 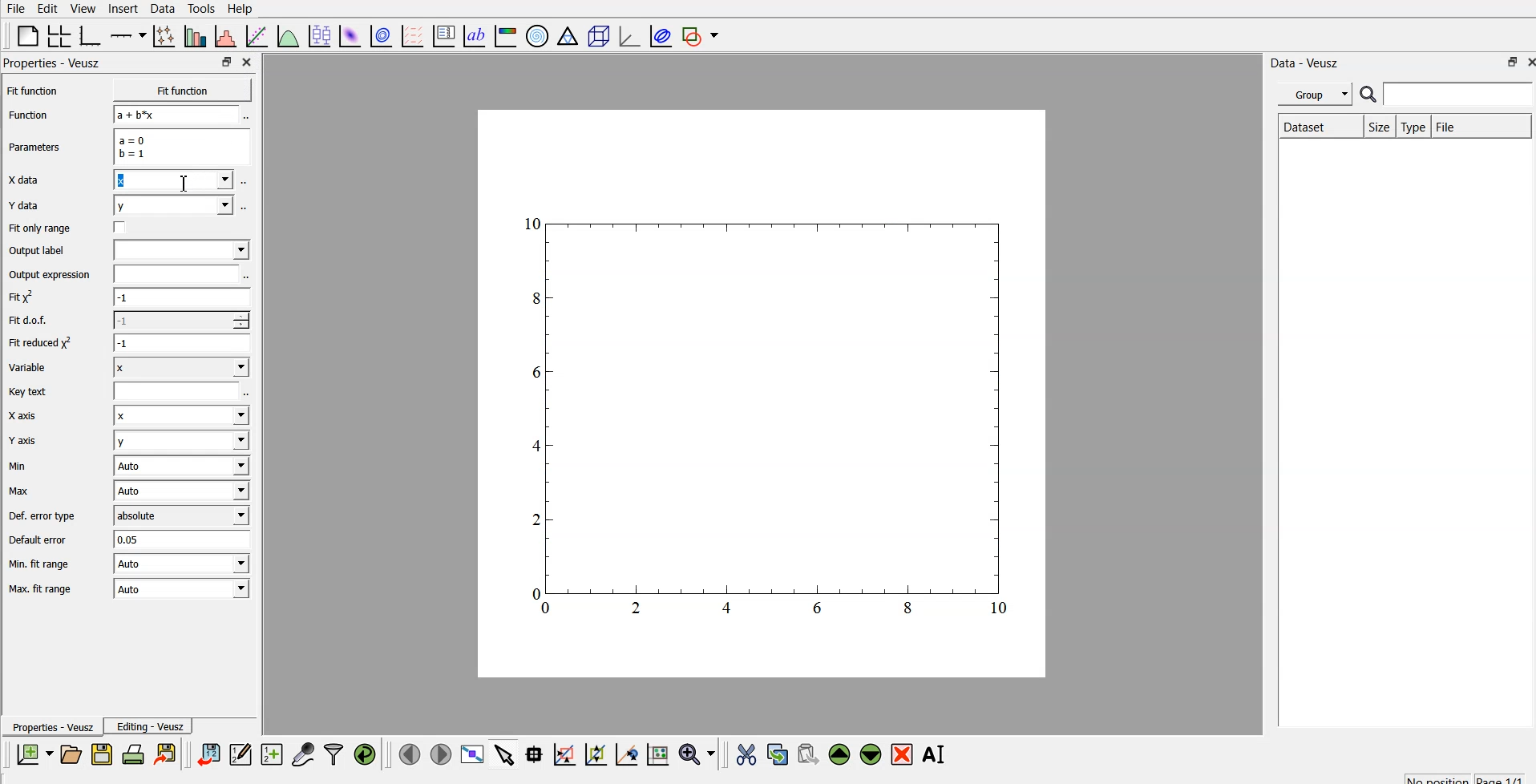 I want to click on create new datasets, so click(x=270, y=754).